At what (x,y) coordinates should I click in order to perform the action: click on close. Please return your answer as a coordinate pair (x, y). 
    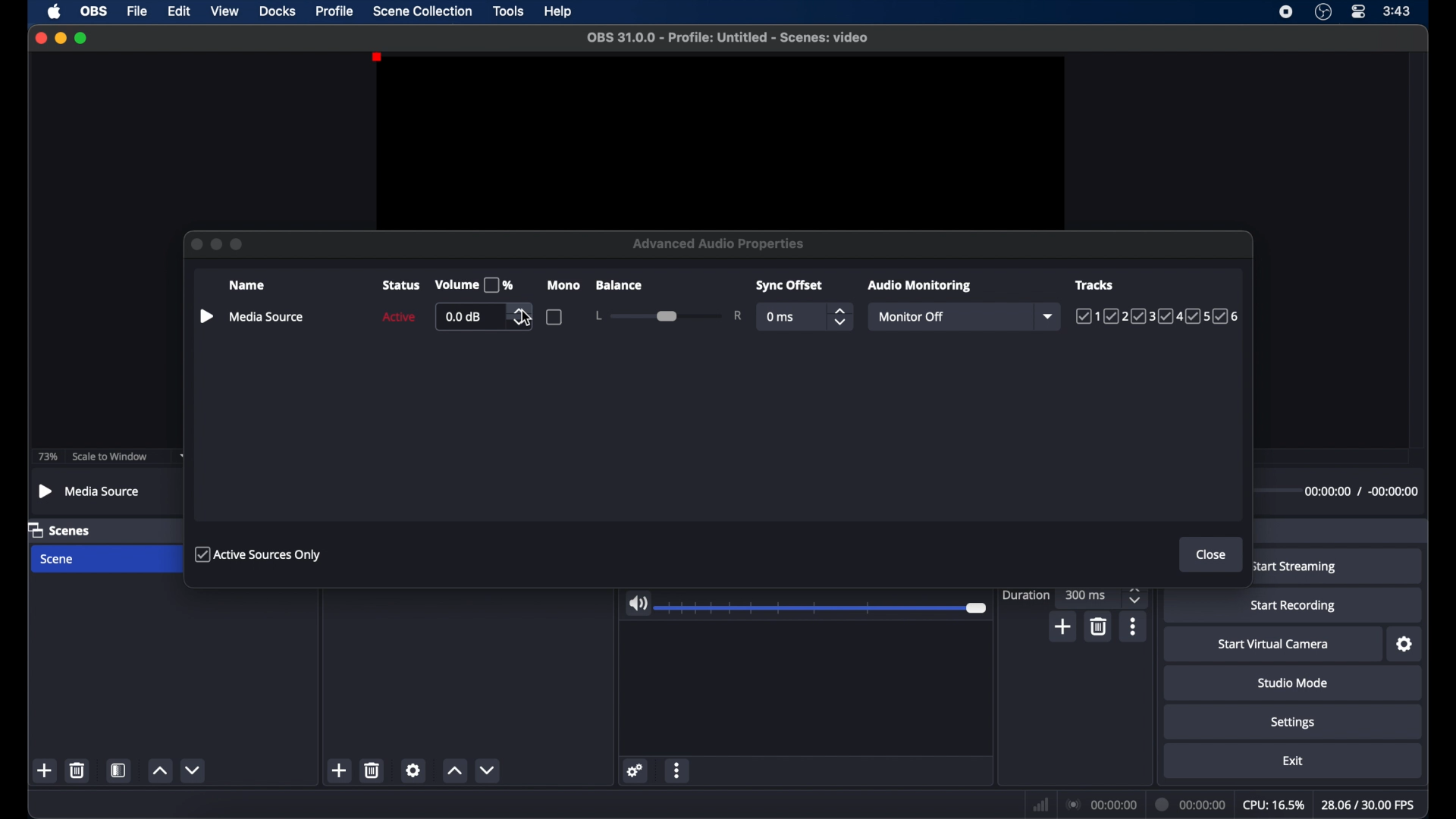
    Looking at the image, I should click on (41, 38).